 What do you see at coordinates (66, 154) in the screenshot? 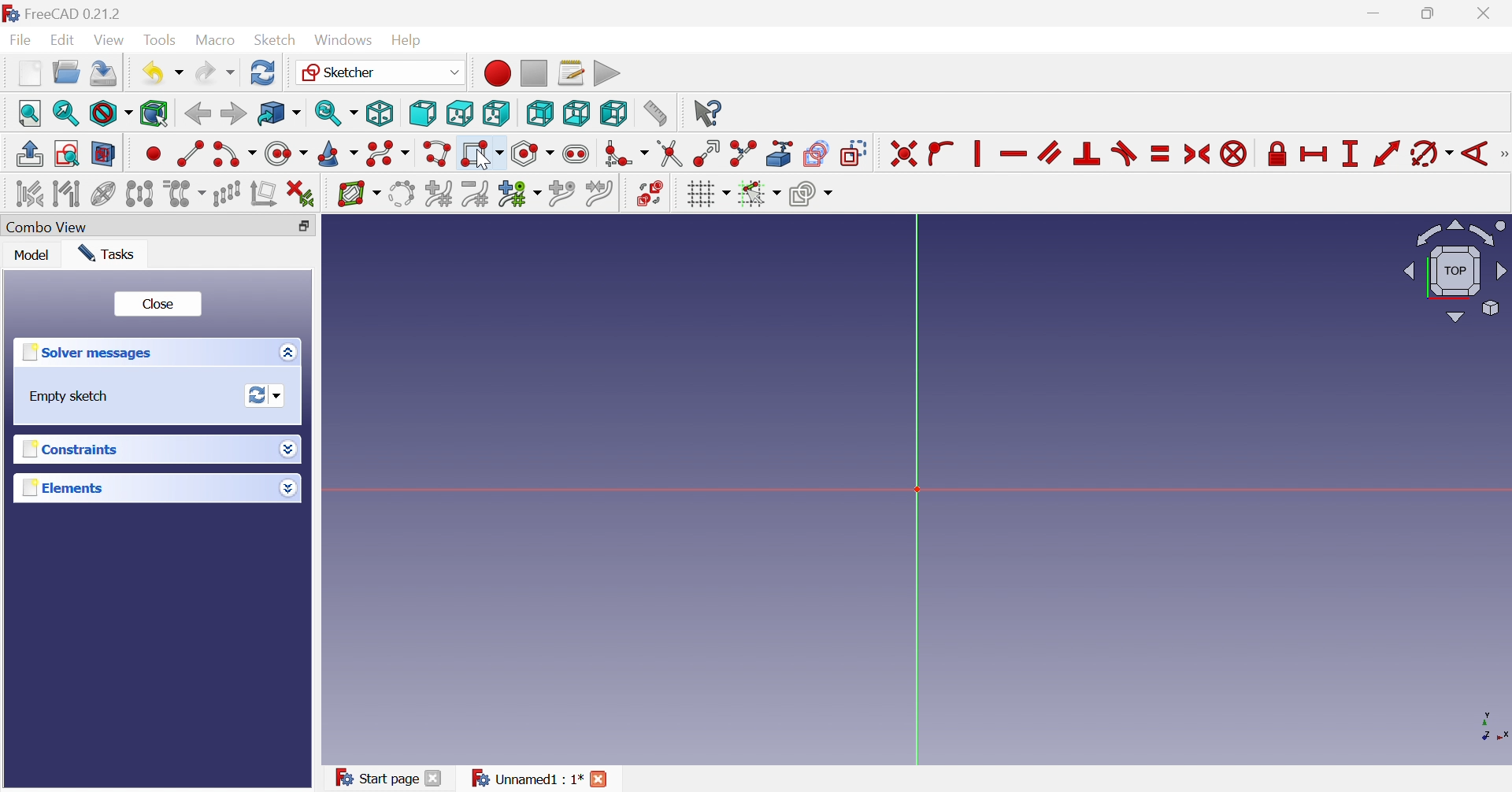
I see `View sketch` at bounding box center [66, 154].